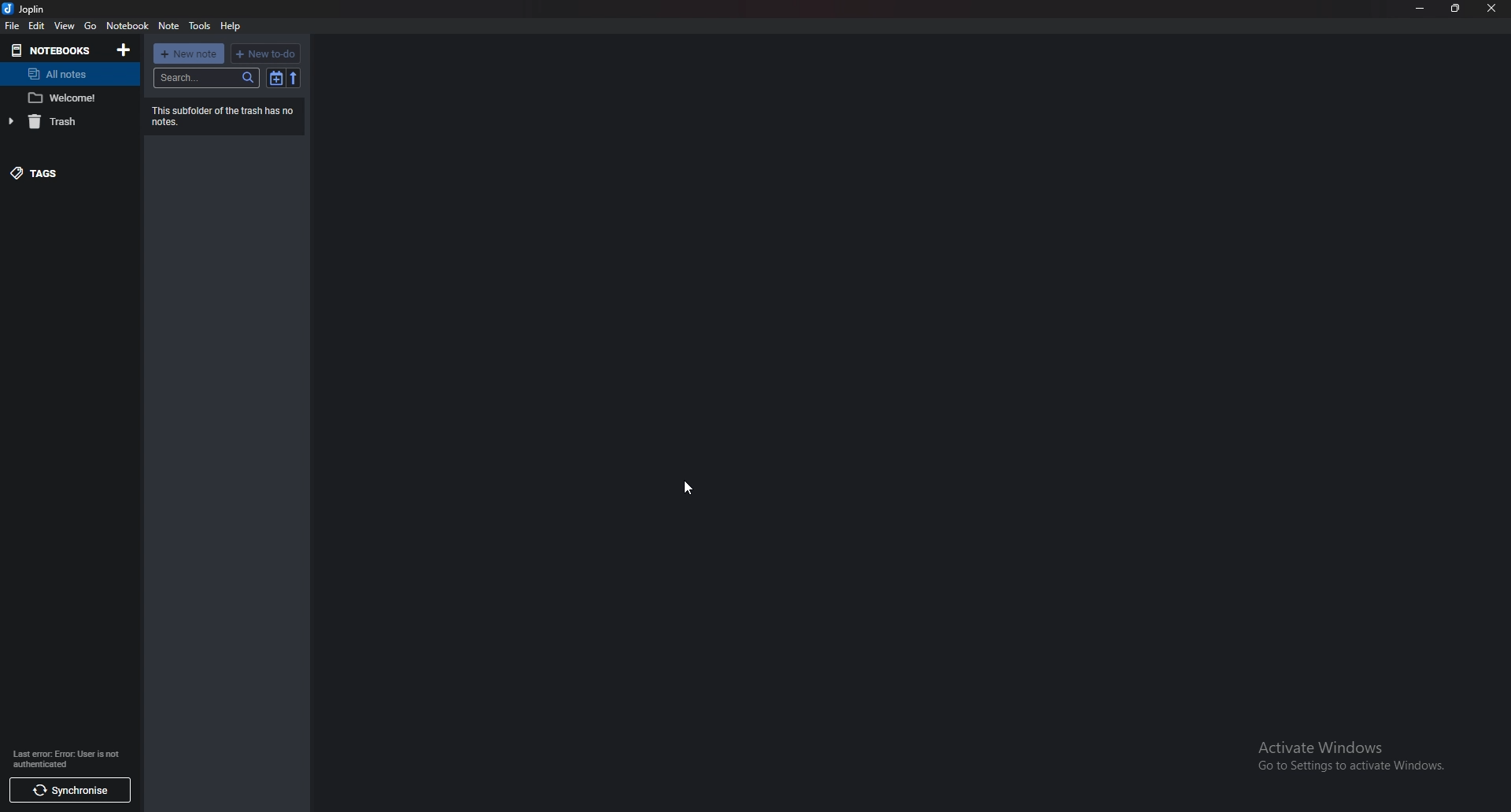 The image size is (1511, 812). I want to click on New to do, so click(265, 54).